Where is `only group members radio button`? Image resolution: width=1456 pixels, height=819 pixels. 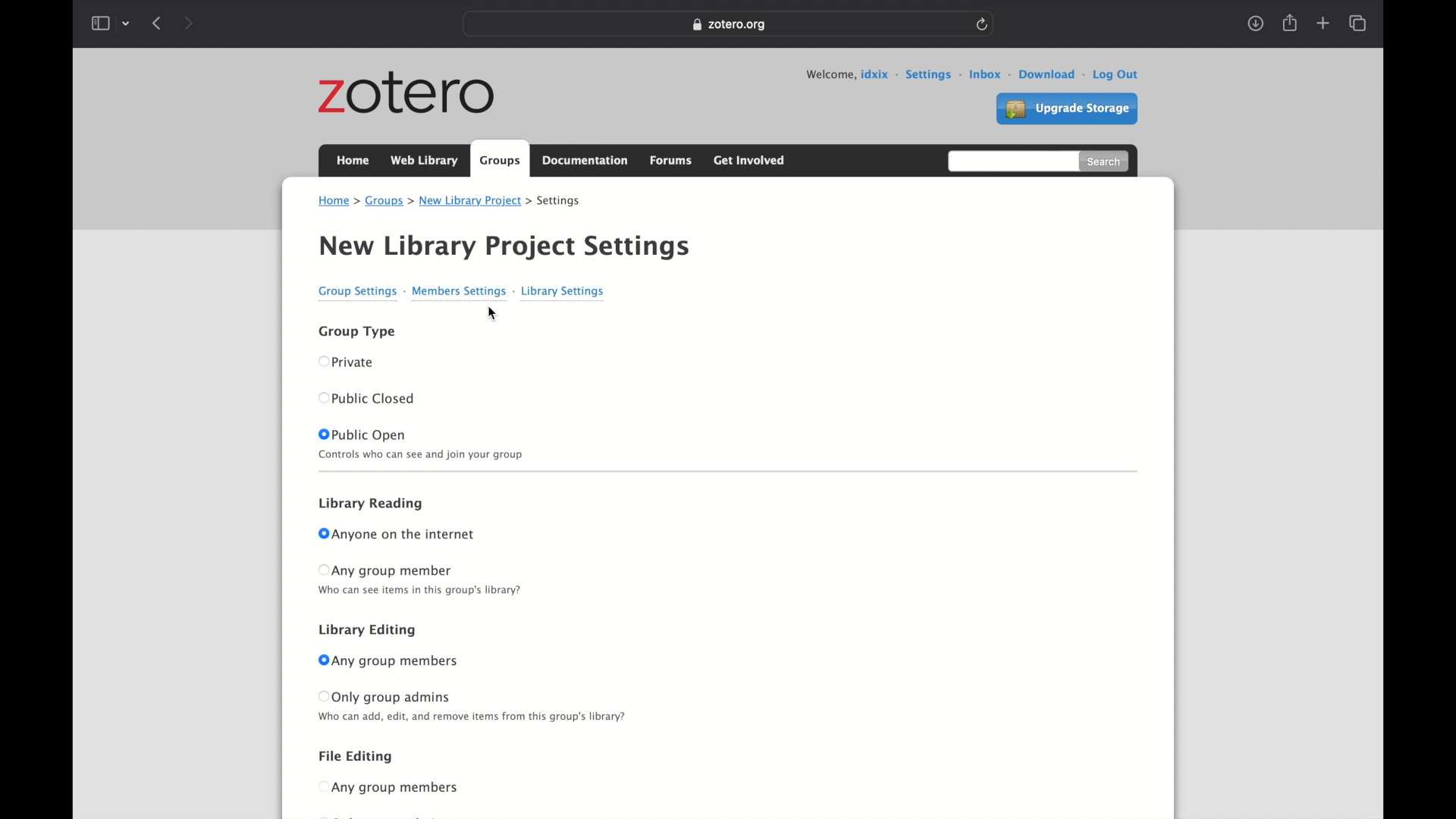
only group members radio button is located at coordinates (392, 697).